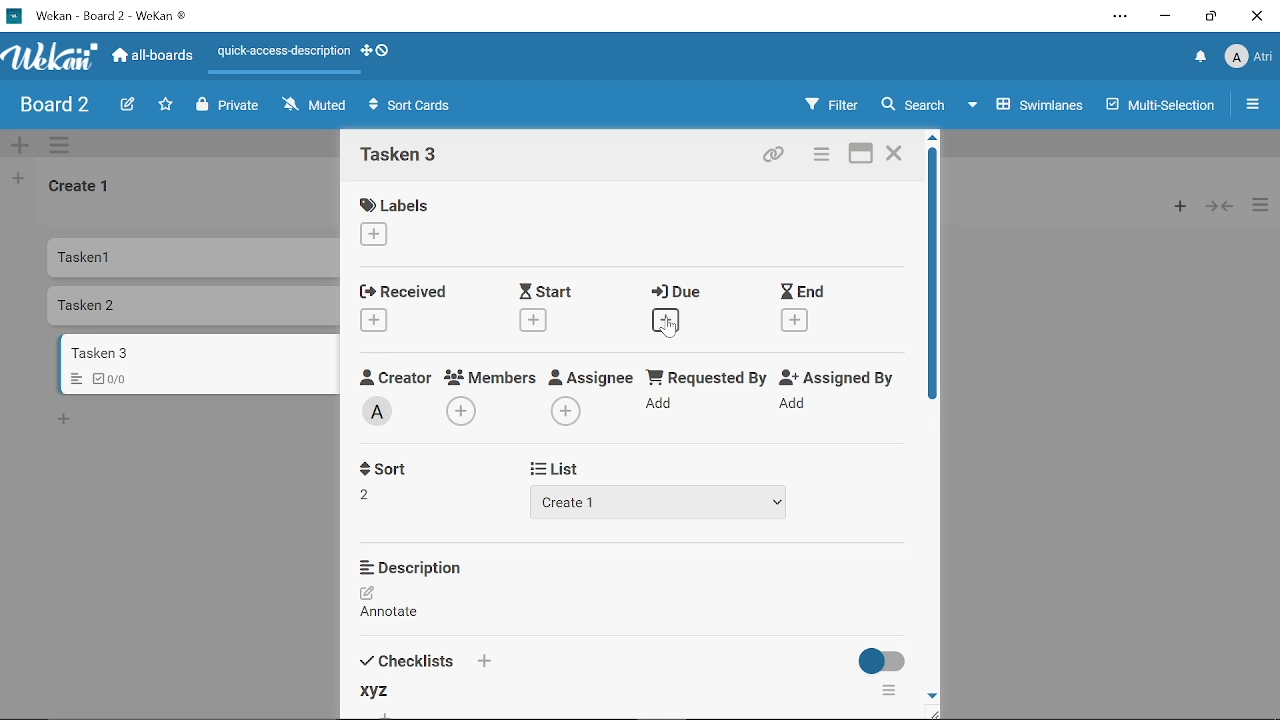 The image size is (1280, 720). Describe the element at coordinates (566, 410) in the screenshot. I see `Add assignee` at that location.